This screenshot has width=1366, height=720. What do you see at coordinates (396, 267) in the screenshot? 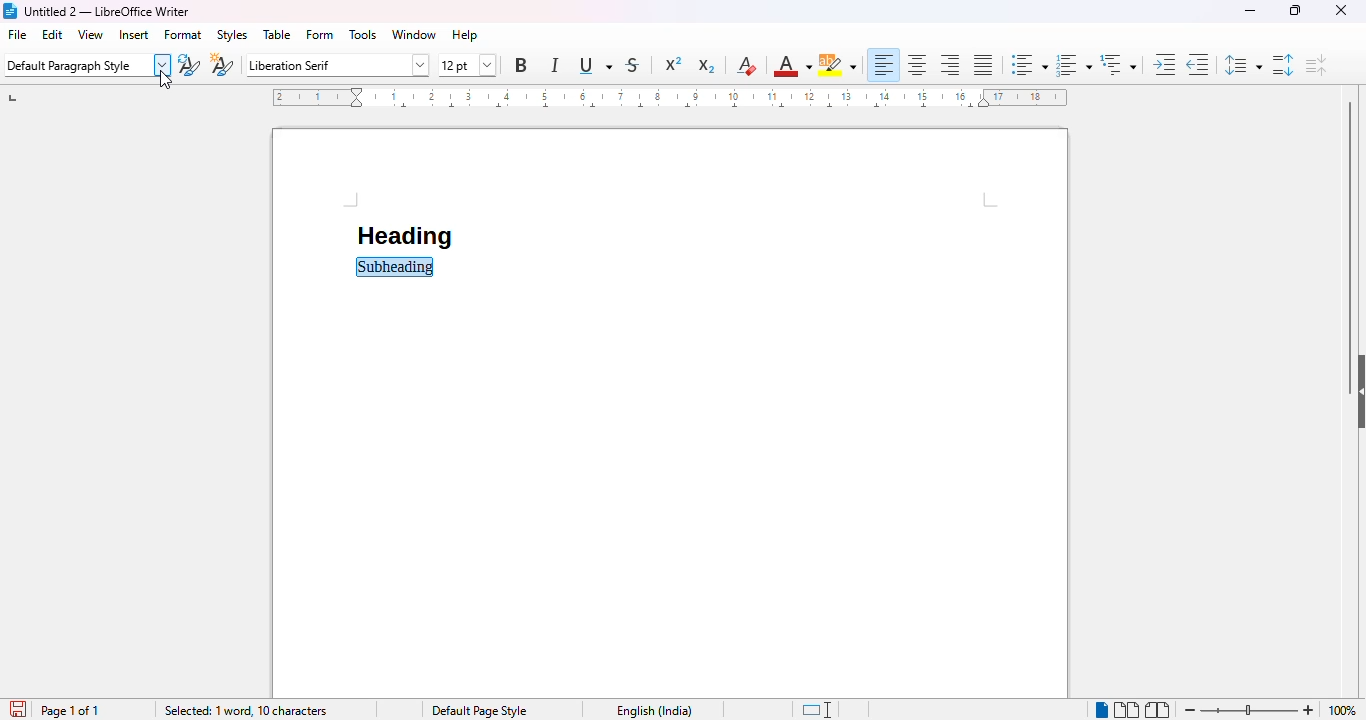
I see `subheading selected` at bounding box center [396, 267].